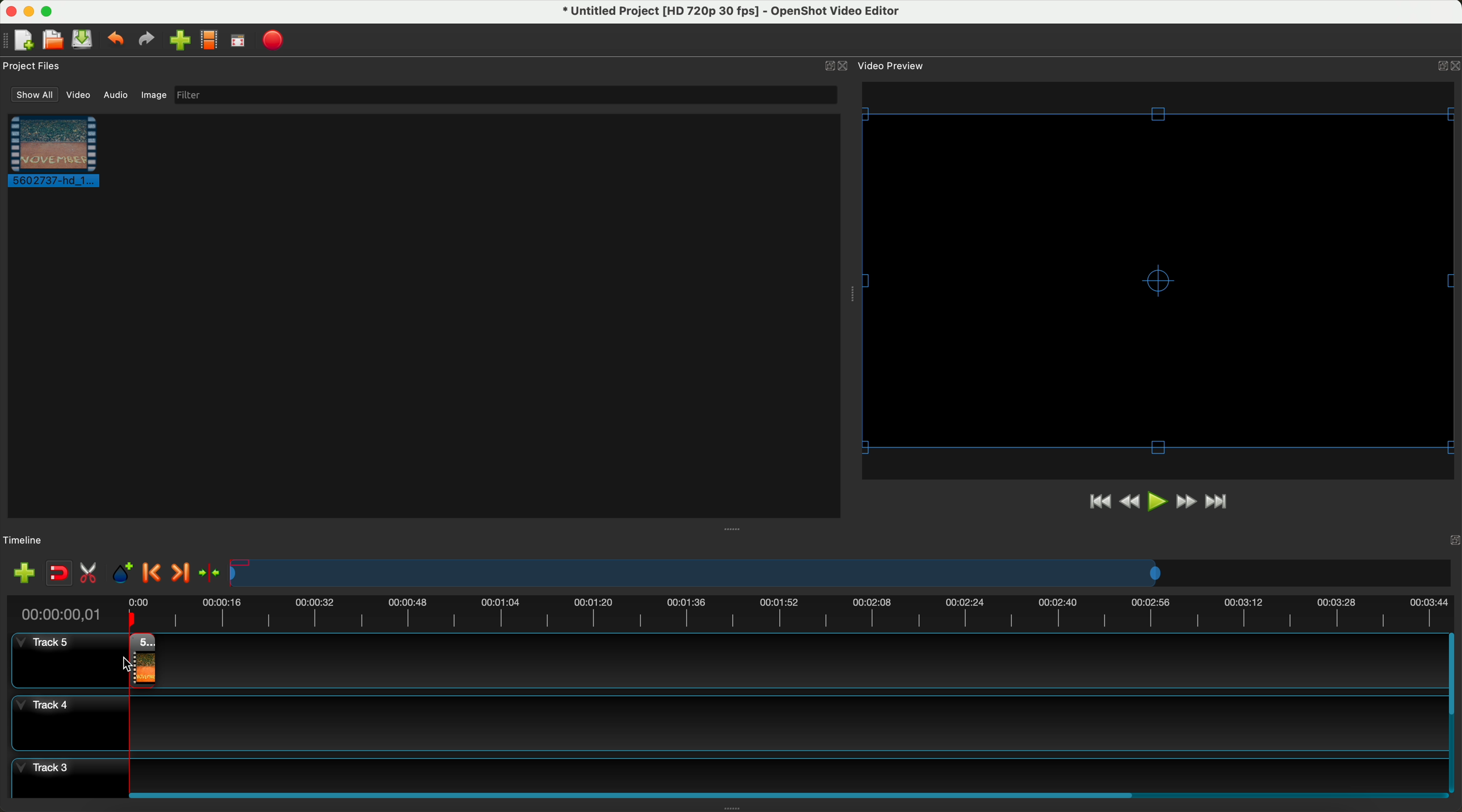 Image resolution: width=1462 pixels, height=812 pixels. I want to click on export video, so click(274, 40).